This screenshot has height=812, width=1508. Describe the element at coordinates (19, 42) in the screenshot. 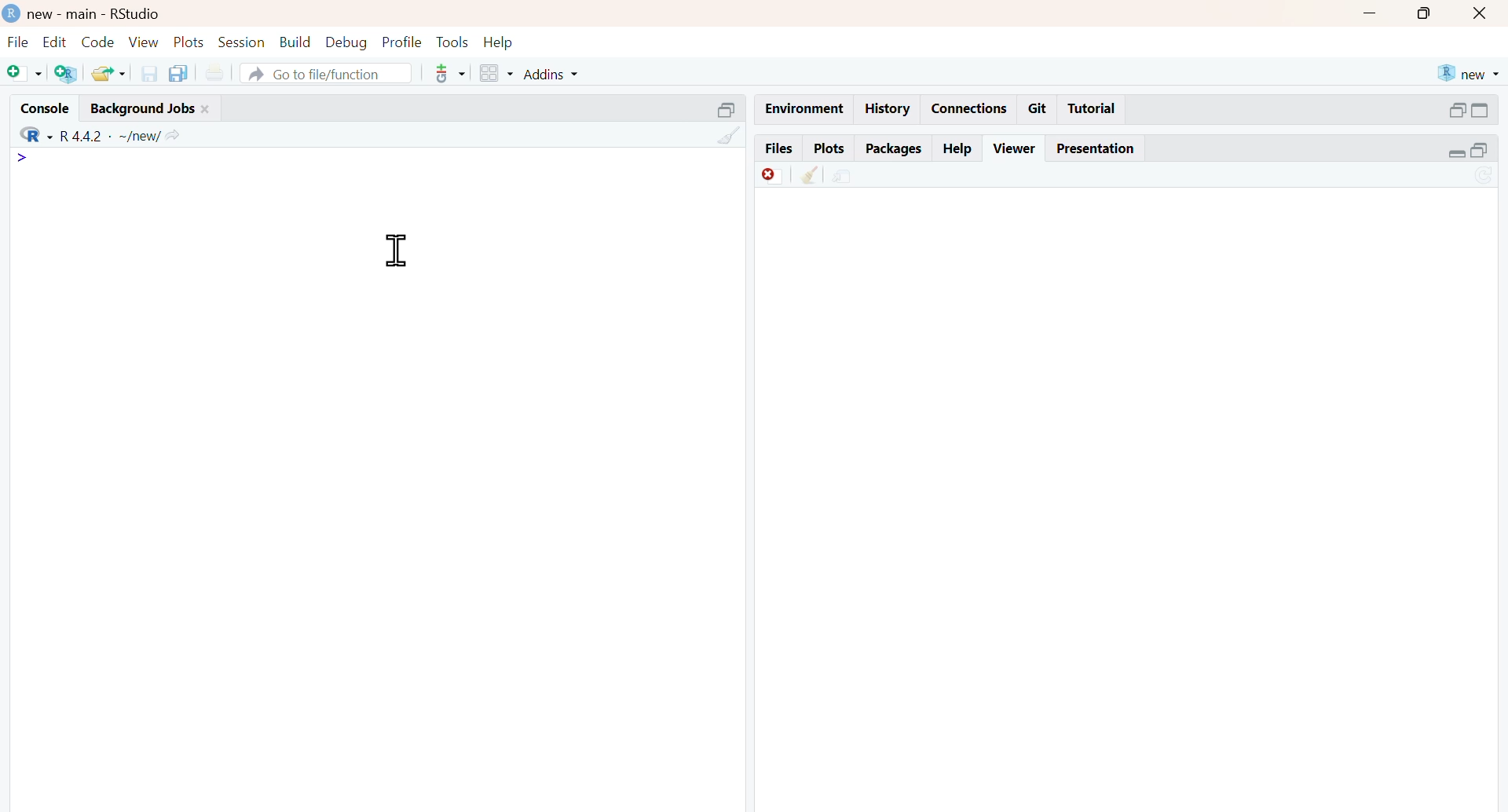

I see `file` at that location.